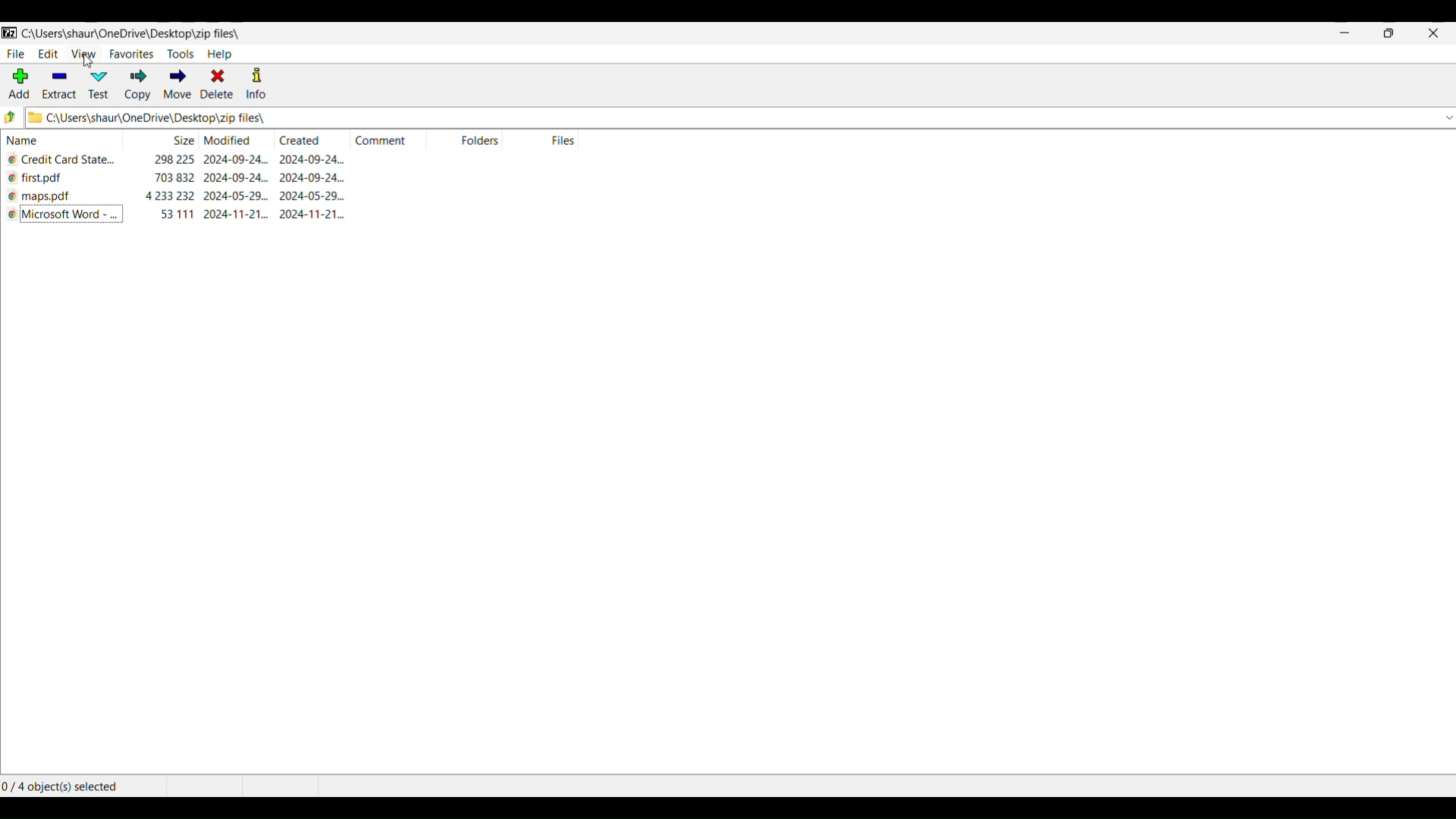 This screenshot has height=819, width=1456. Describe the element at coordinates (83, 58) in the screenshot. I see `view` at that location.